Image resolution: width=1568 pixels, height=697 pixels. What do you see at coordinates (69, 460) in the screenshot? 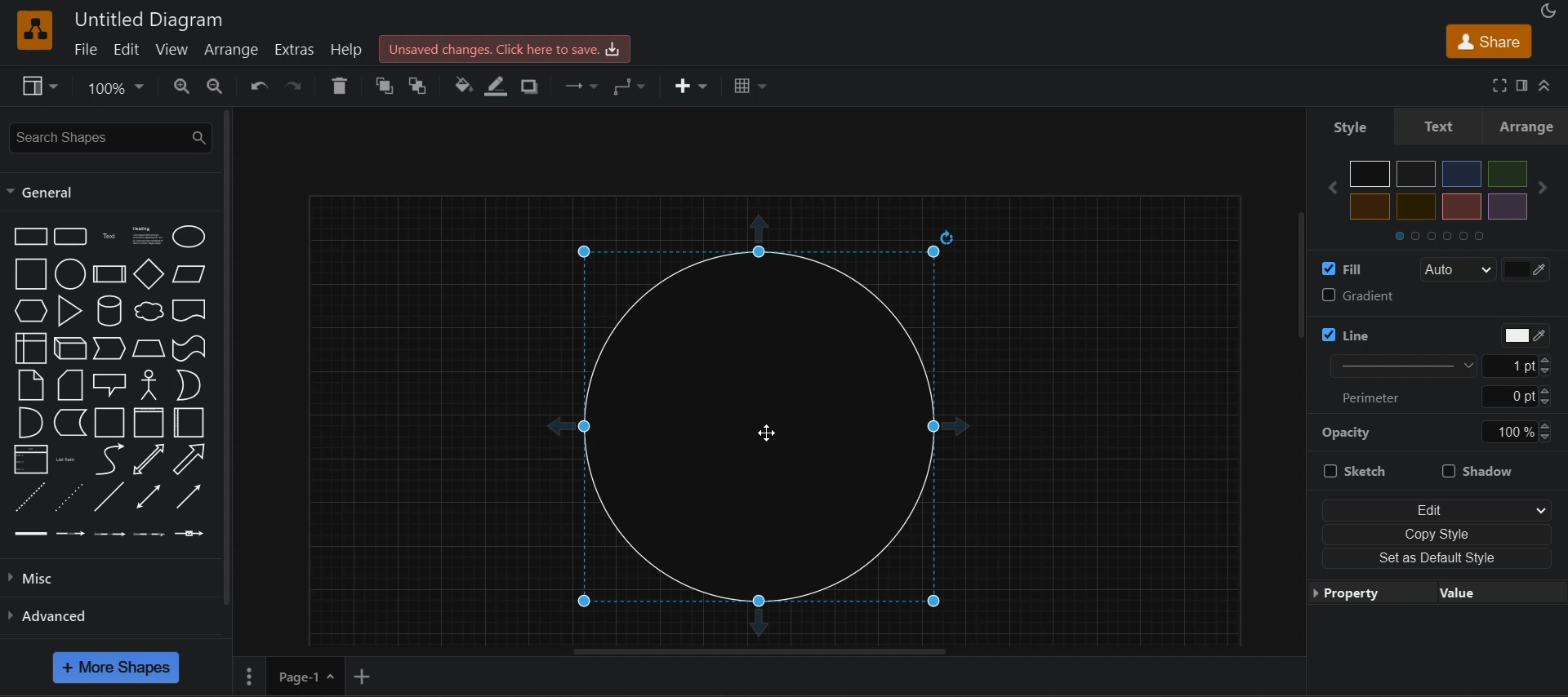
I see `list item` at bounding box center [69, 460].